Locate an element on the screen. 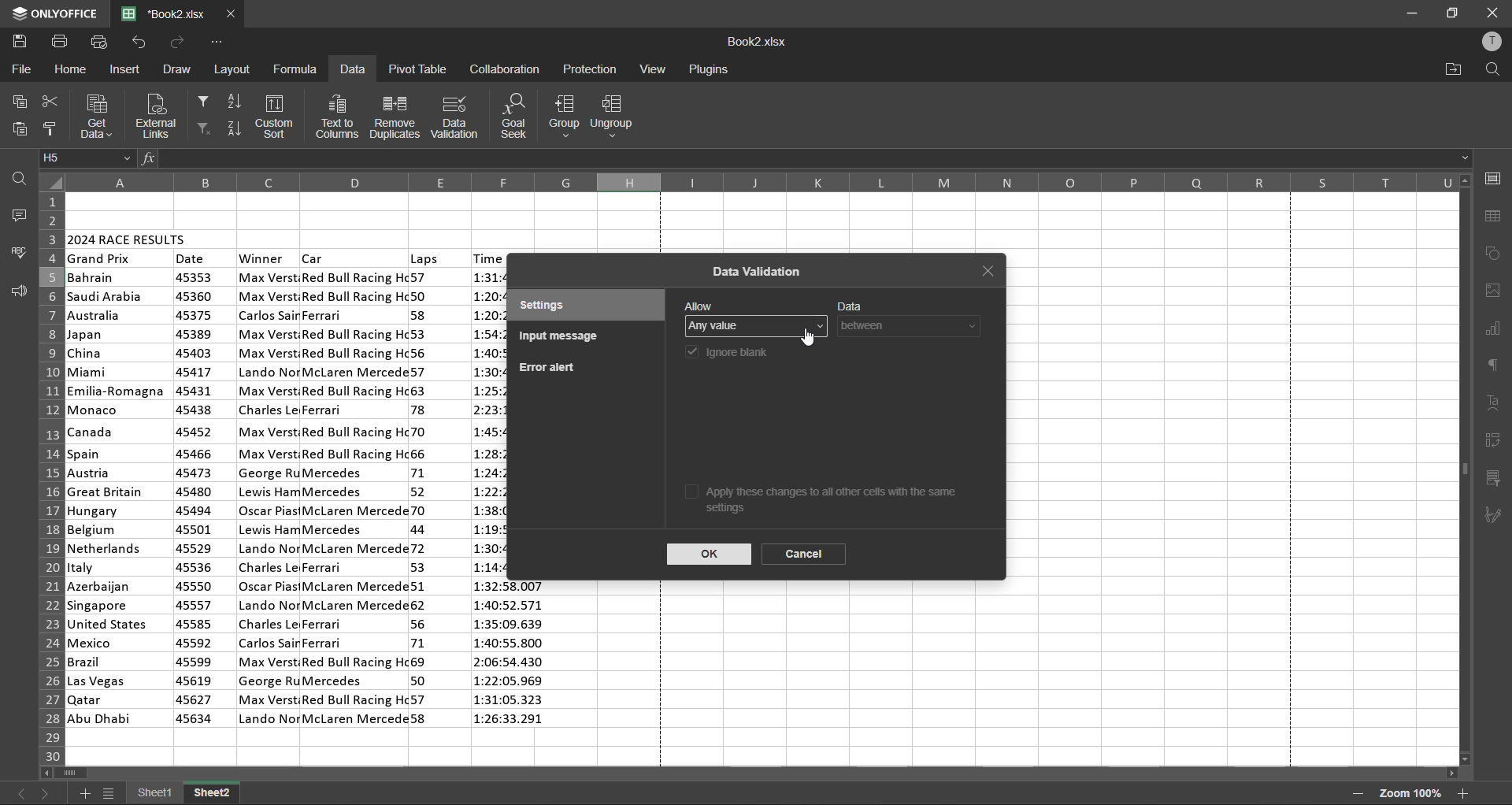 The height and width of the screenshot is (805, 1512). scrollbar is located at coordinates (751, 775).